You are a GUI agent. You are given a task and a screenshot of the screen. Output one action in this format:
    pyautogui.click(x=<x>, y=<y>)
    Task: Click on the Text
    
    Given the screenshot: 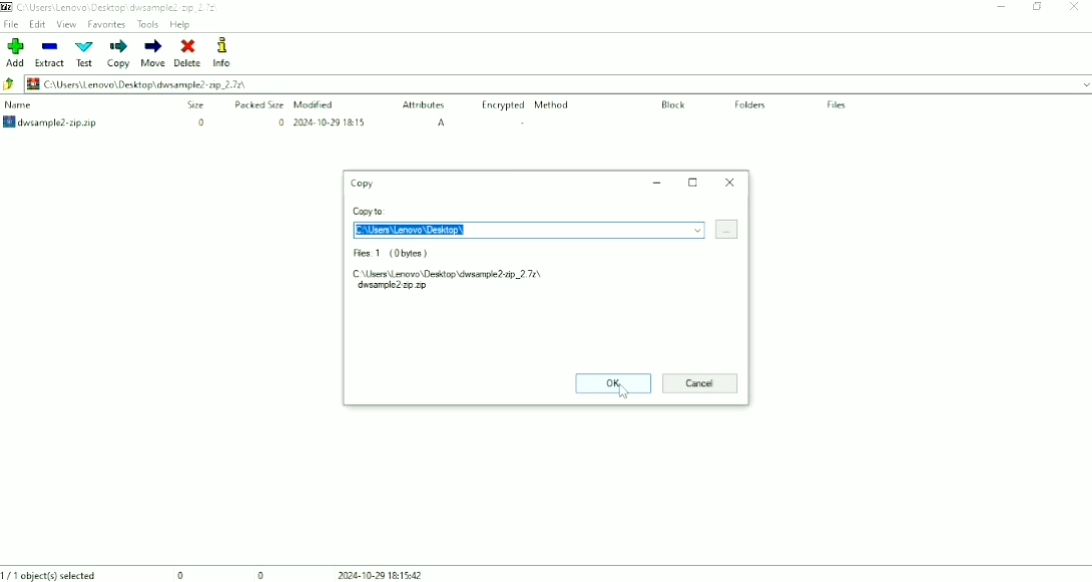 What is the action you would take?
    pyautogui.click(x=85, y=54)
    